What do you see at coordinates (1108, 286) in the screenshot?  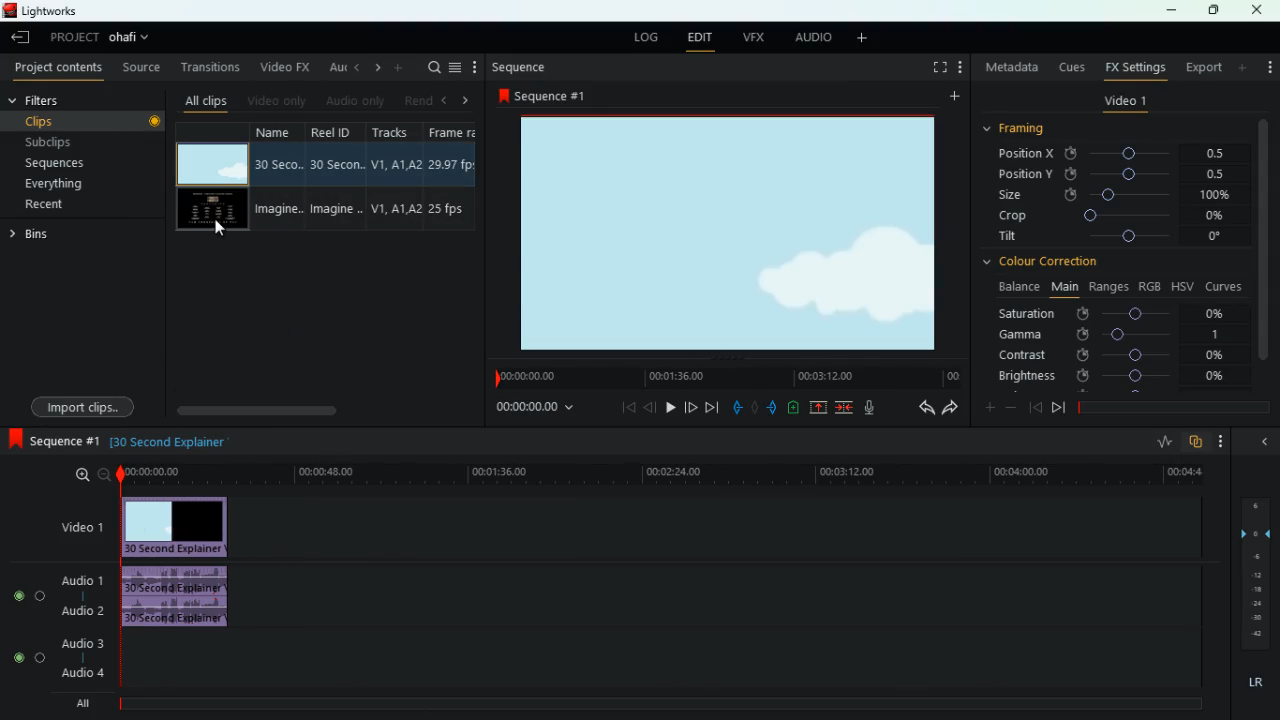 I see `ranges` at bounding box center [1108, 286].